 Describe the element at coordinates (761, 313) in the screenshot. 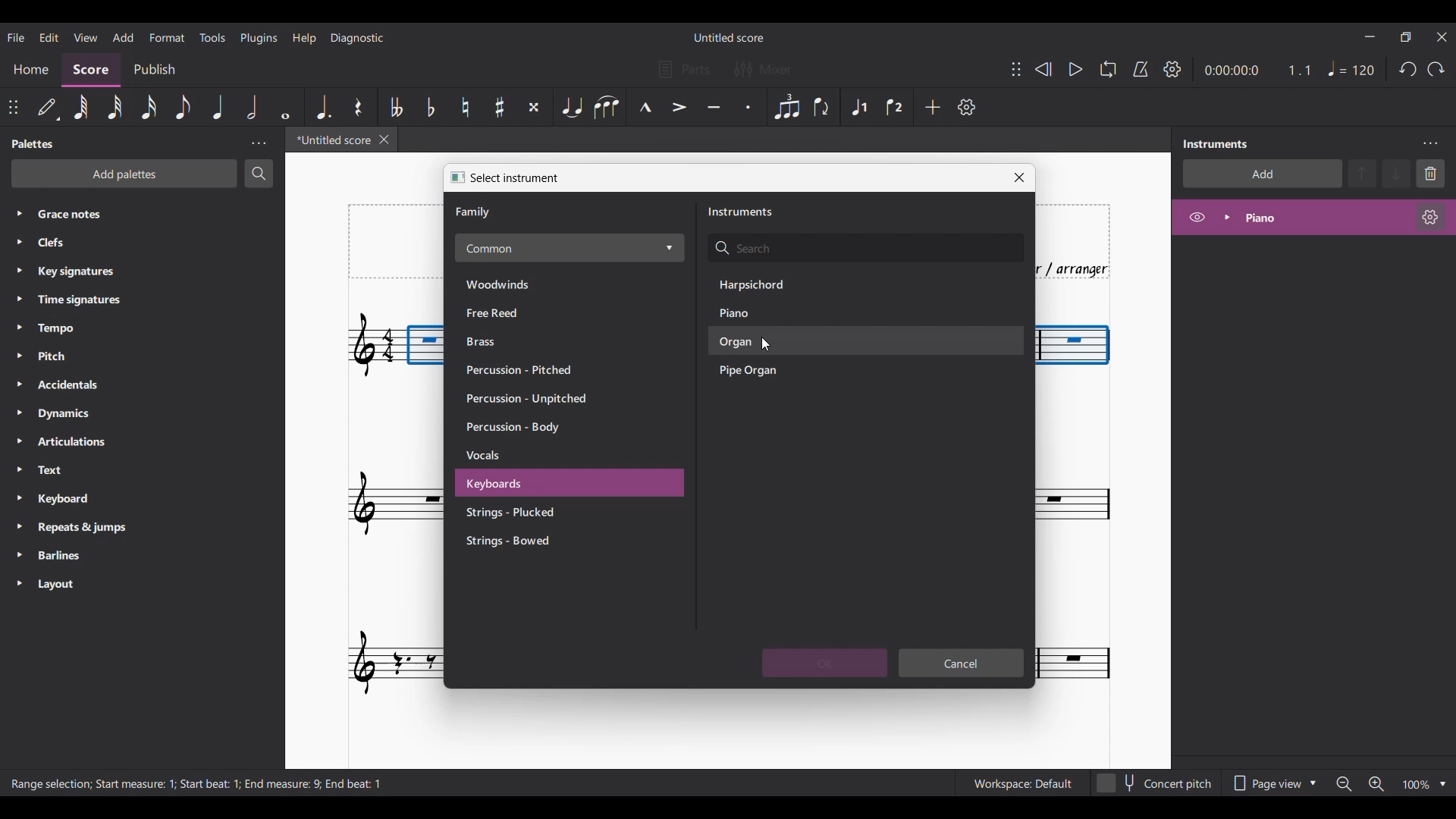

I see `Piano` at that location.